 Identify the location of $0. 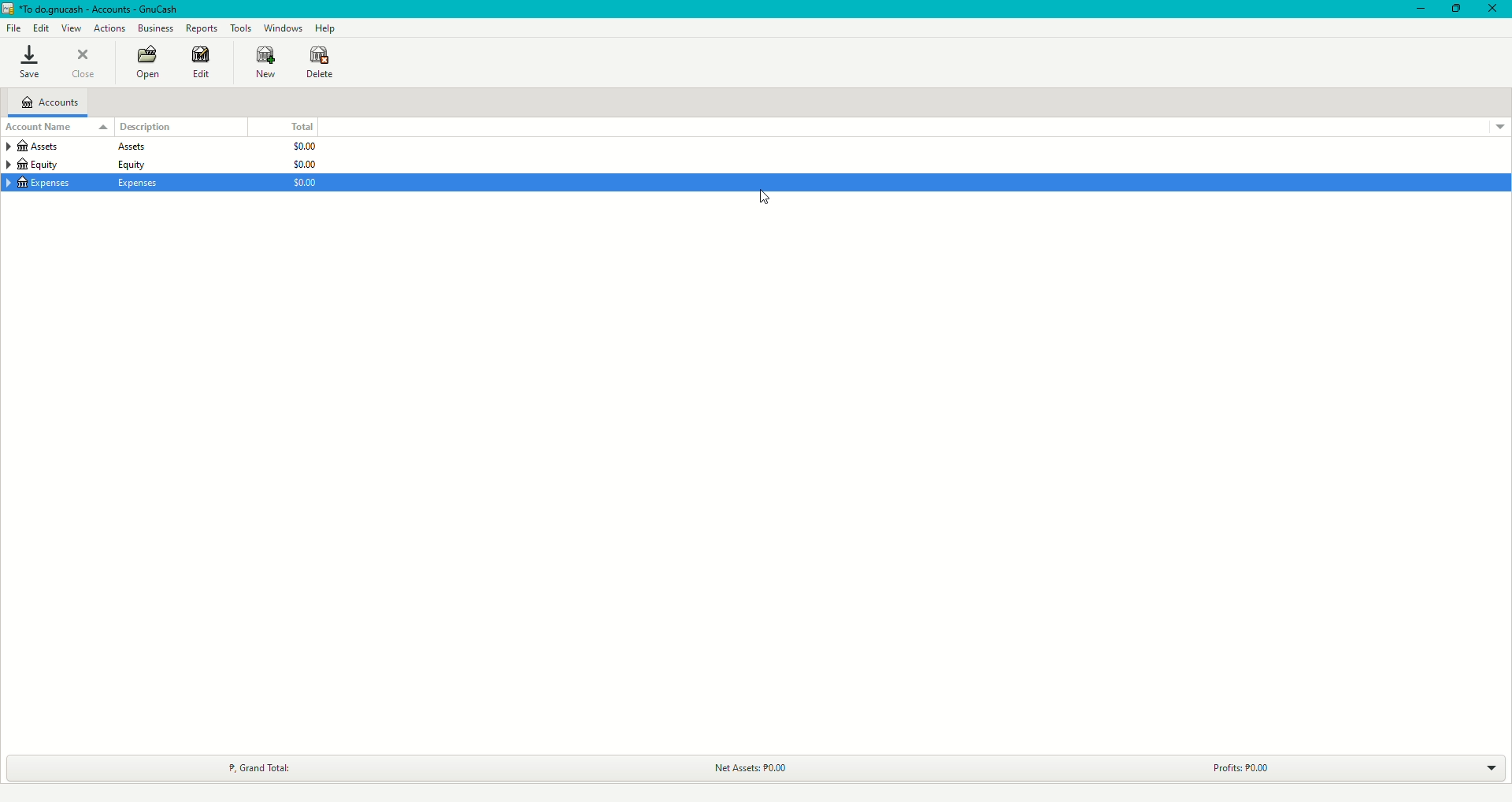
(300, 165).